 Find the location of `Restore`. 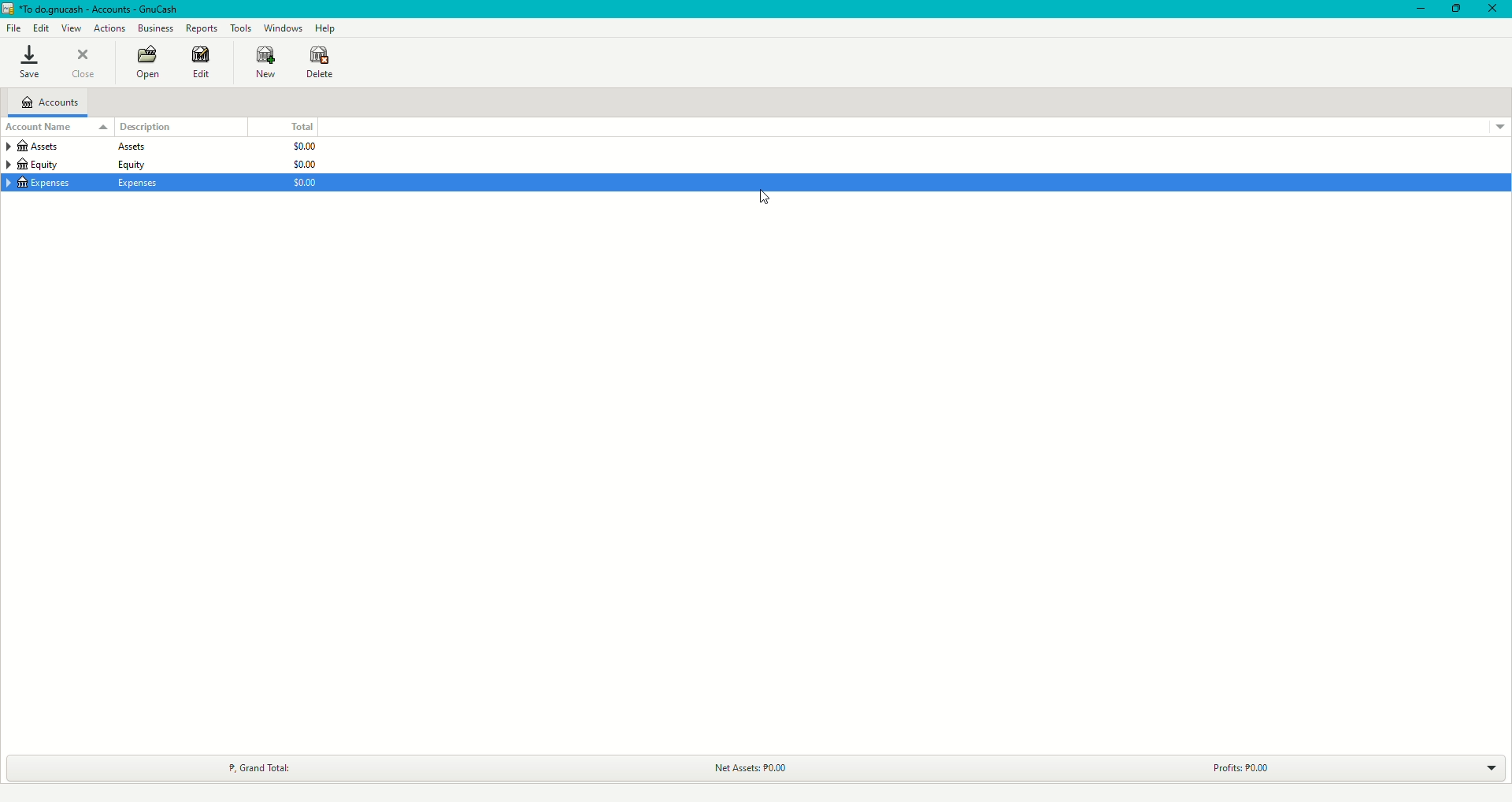

Restore is located at coordinates (1455, 9).